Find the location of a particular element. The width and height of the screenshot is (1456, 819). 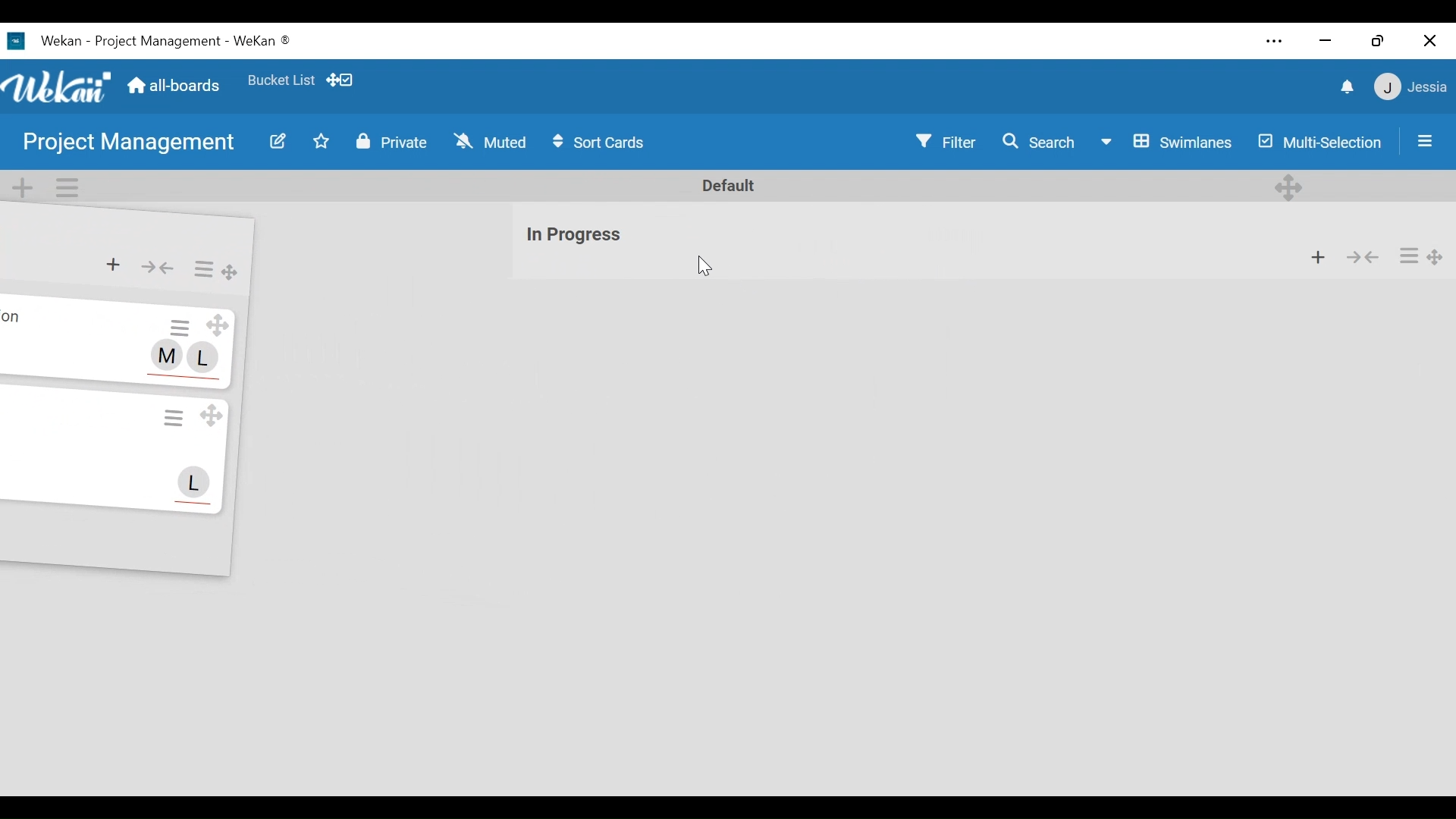

Drag Board is located at coordinates (1437, 256).